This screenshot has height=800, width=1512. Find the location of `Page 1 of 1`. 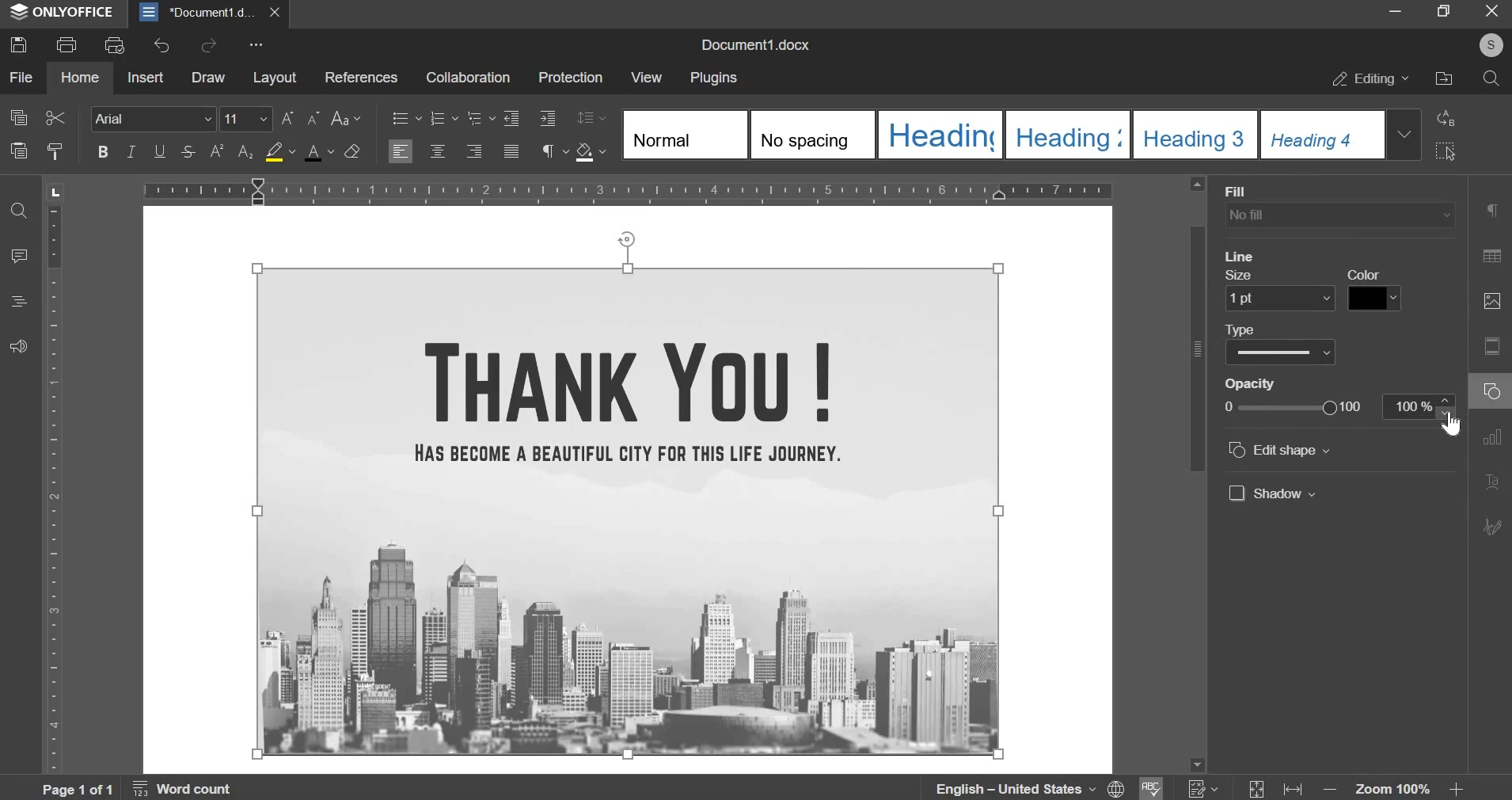

Page 1 of 1 is located at coordinates (81, 789).